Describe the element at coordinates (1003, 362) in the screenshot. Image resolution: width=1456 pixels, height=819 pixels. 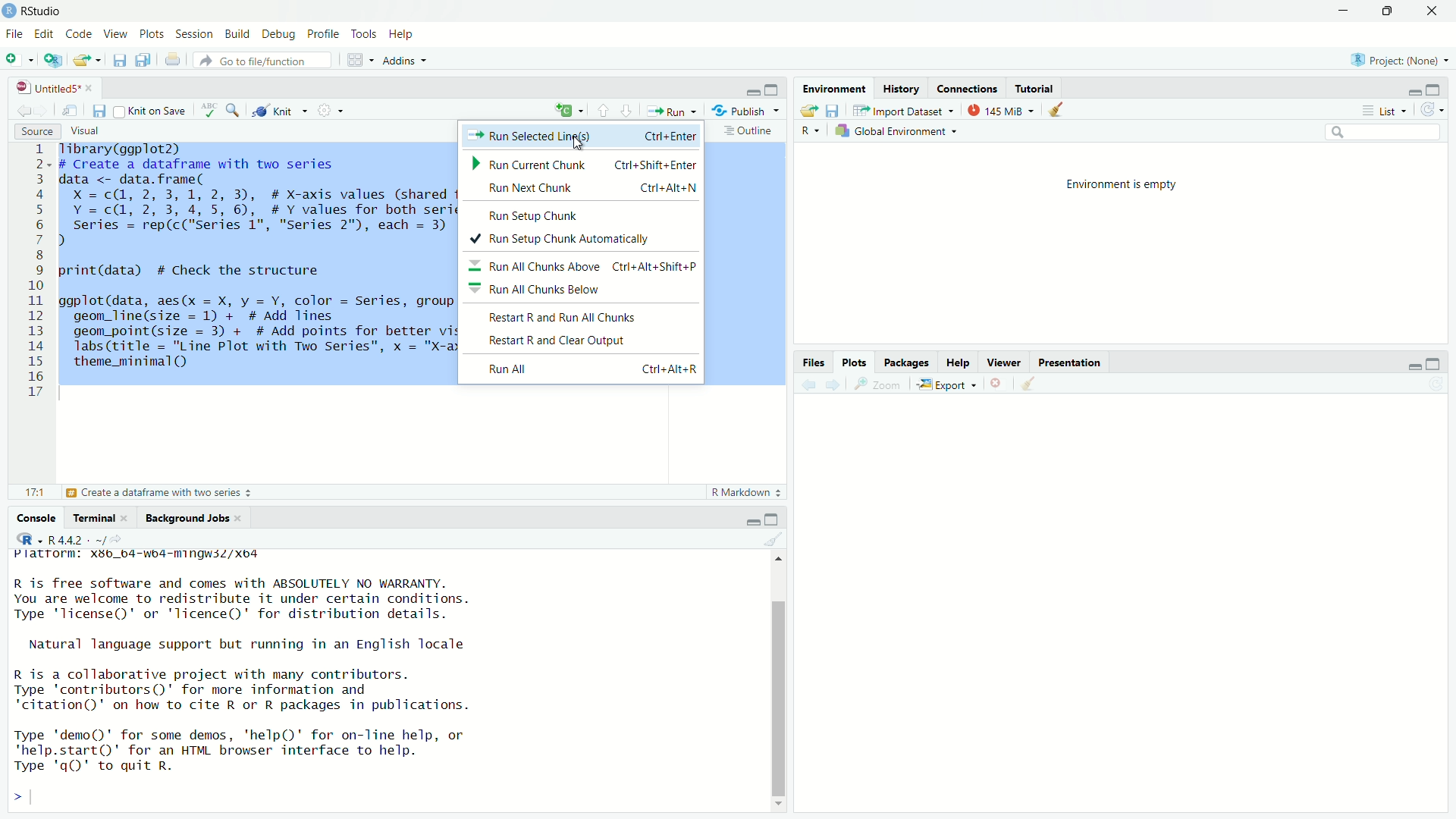
I see `Viewer` at that location.